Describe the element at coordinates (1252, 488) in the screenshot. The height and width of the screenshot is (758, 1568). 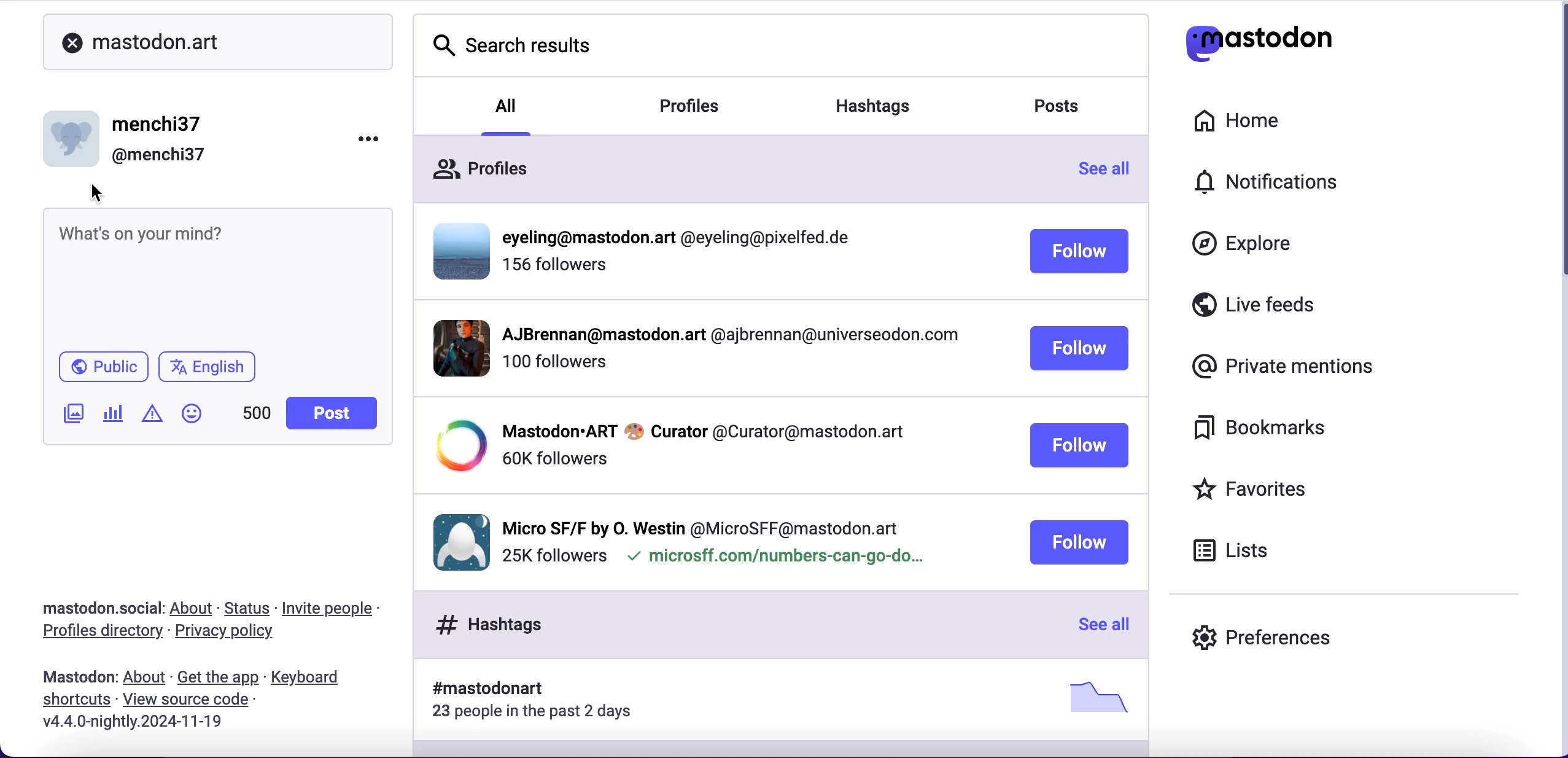
I see `favorites` at that location.